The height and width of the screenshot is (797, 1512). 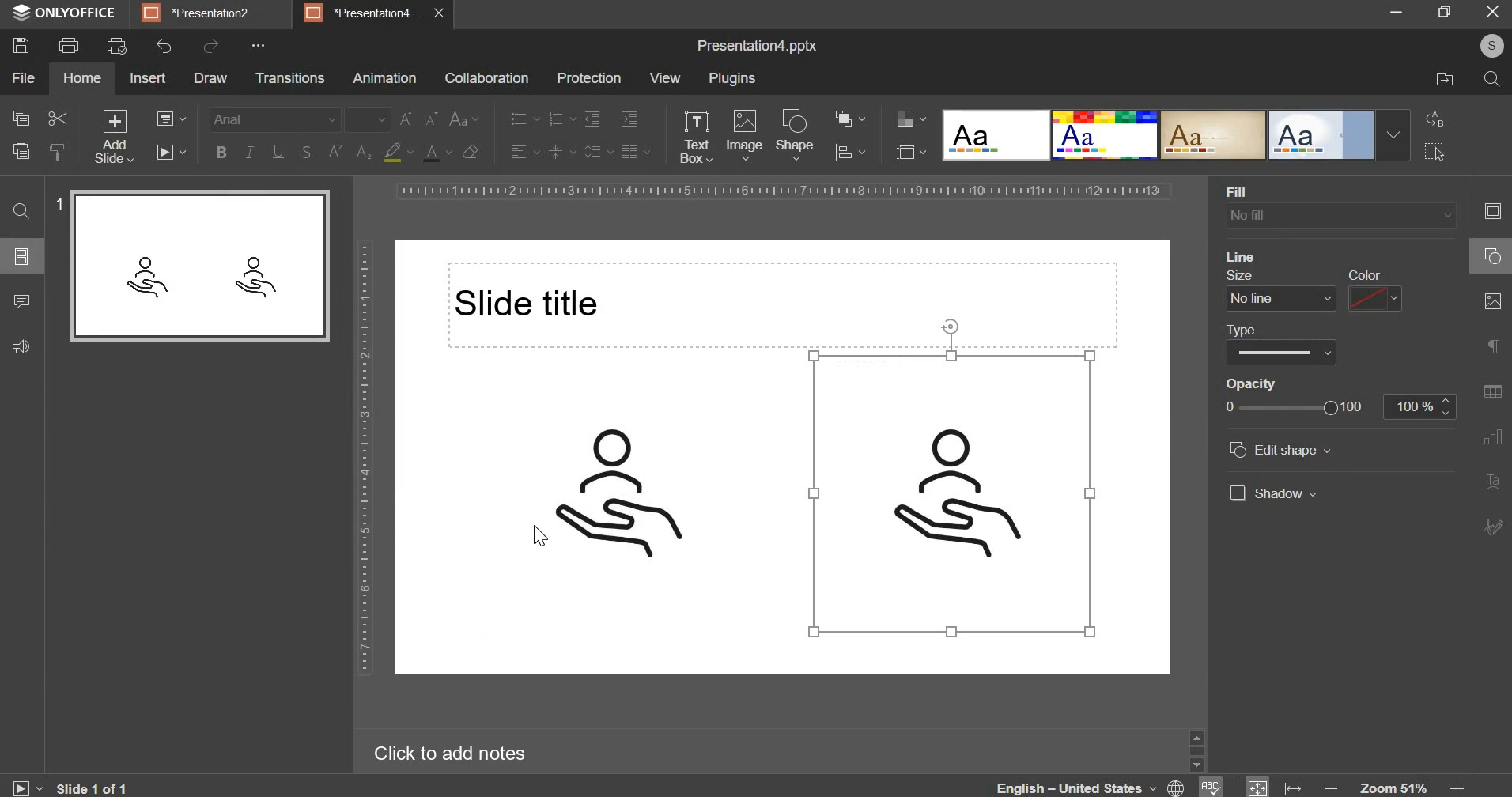 What do you see at coordinates (83, 77) in the screenshot?
I see `home` at bounding box center [83, 77].